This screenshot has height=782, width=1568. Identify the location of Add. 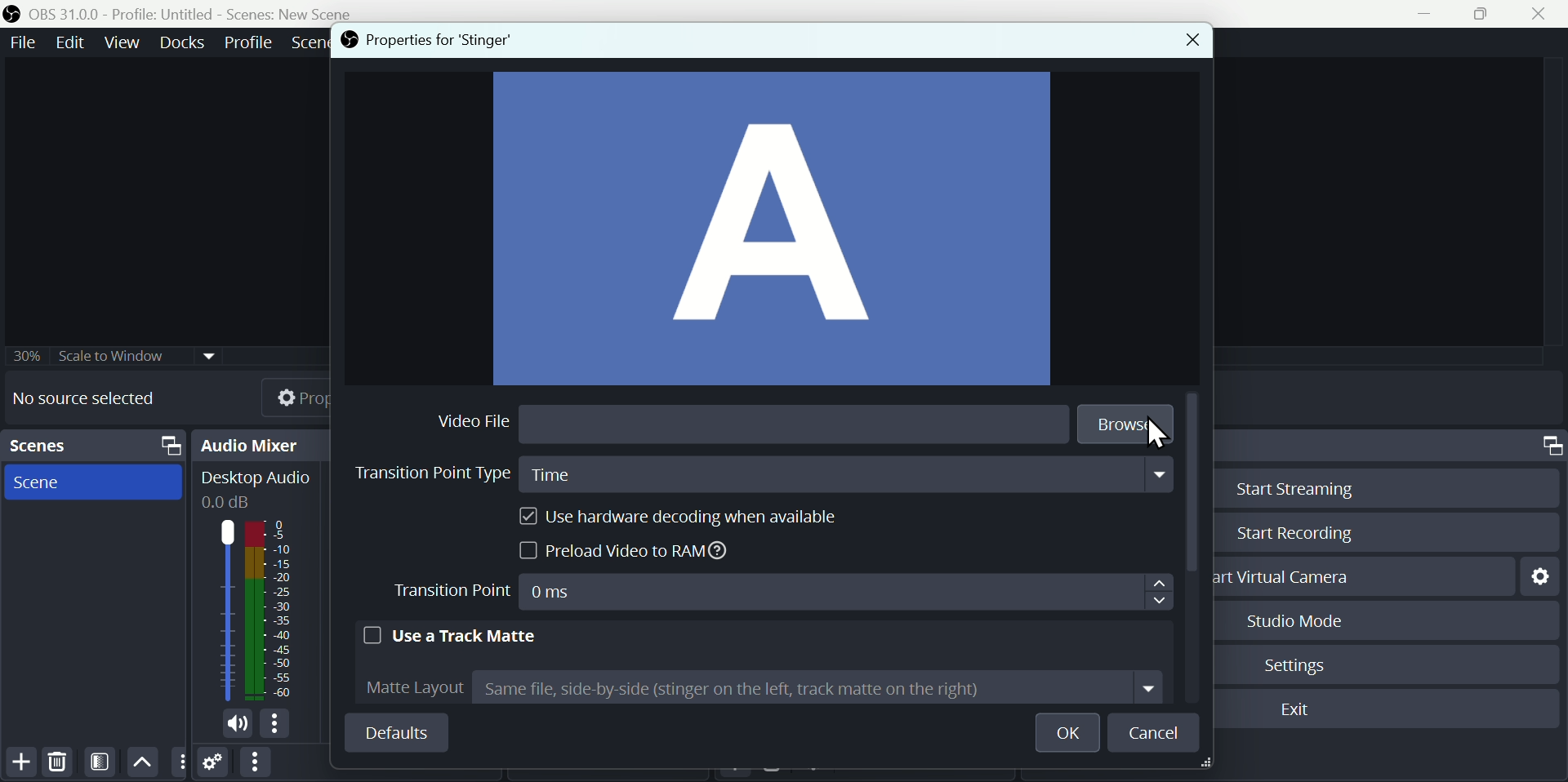
(21, 762).